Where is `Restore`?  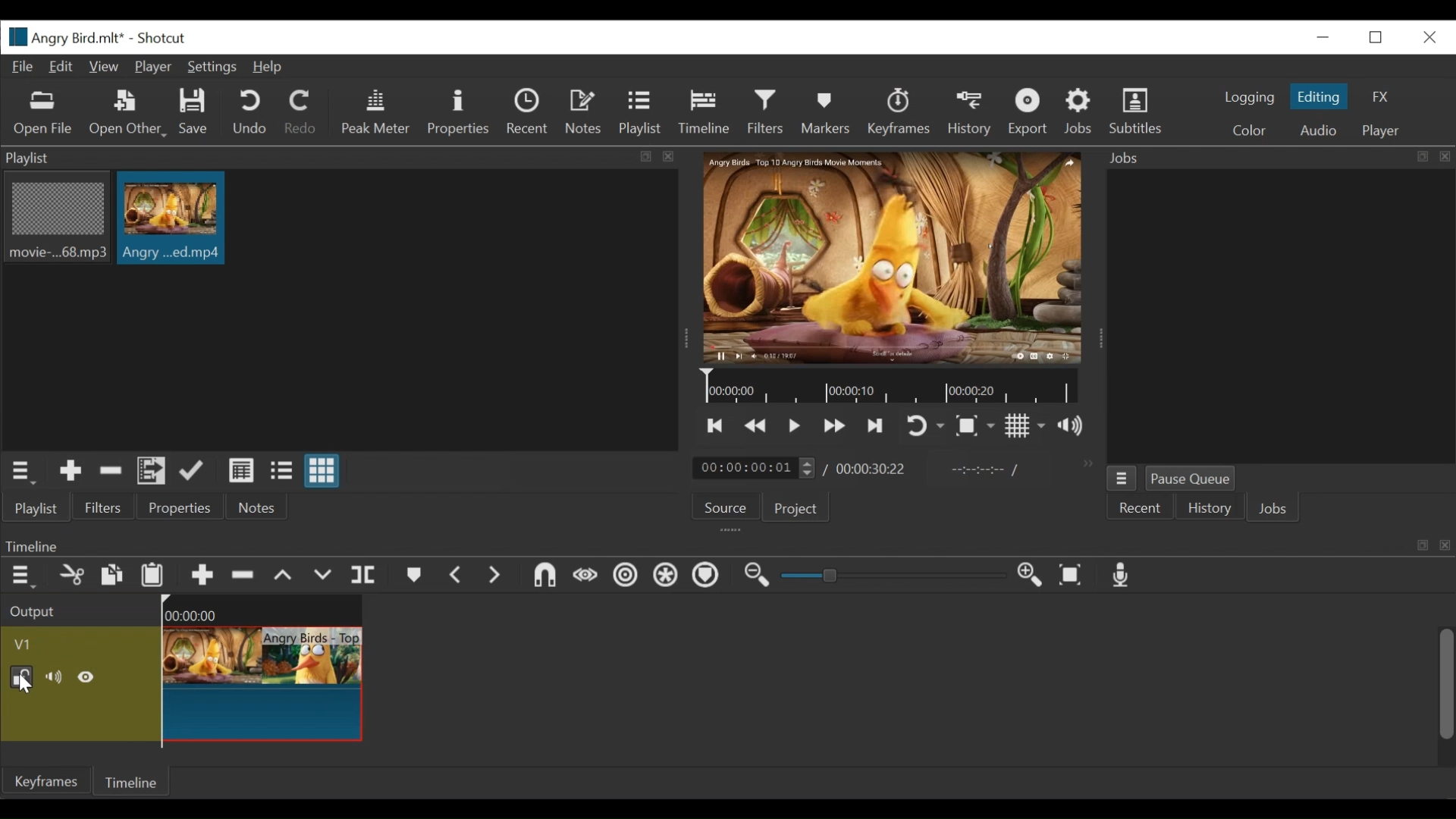 Restore is located at coordinates (1375, 37).